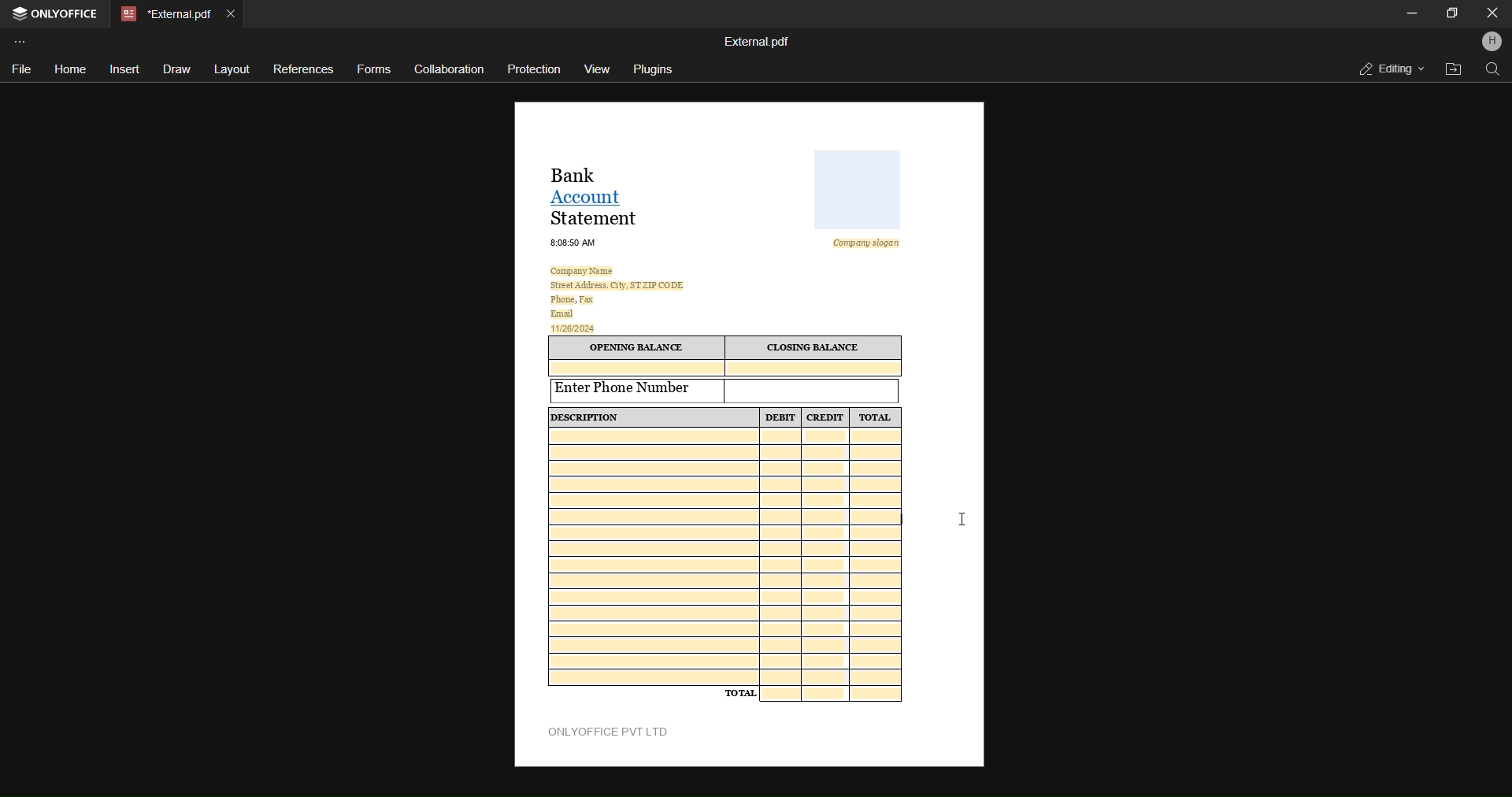  I want to click on close, so click(1488, 13).